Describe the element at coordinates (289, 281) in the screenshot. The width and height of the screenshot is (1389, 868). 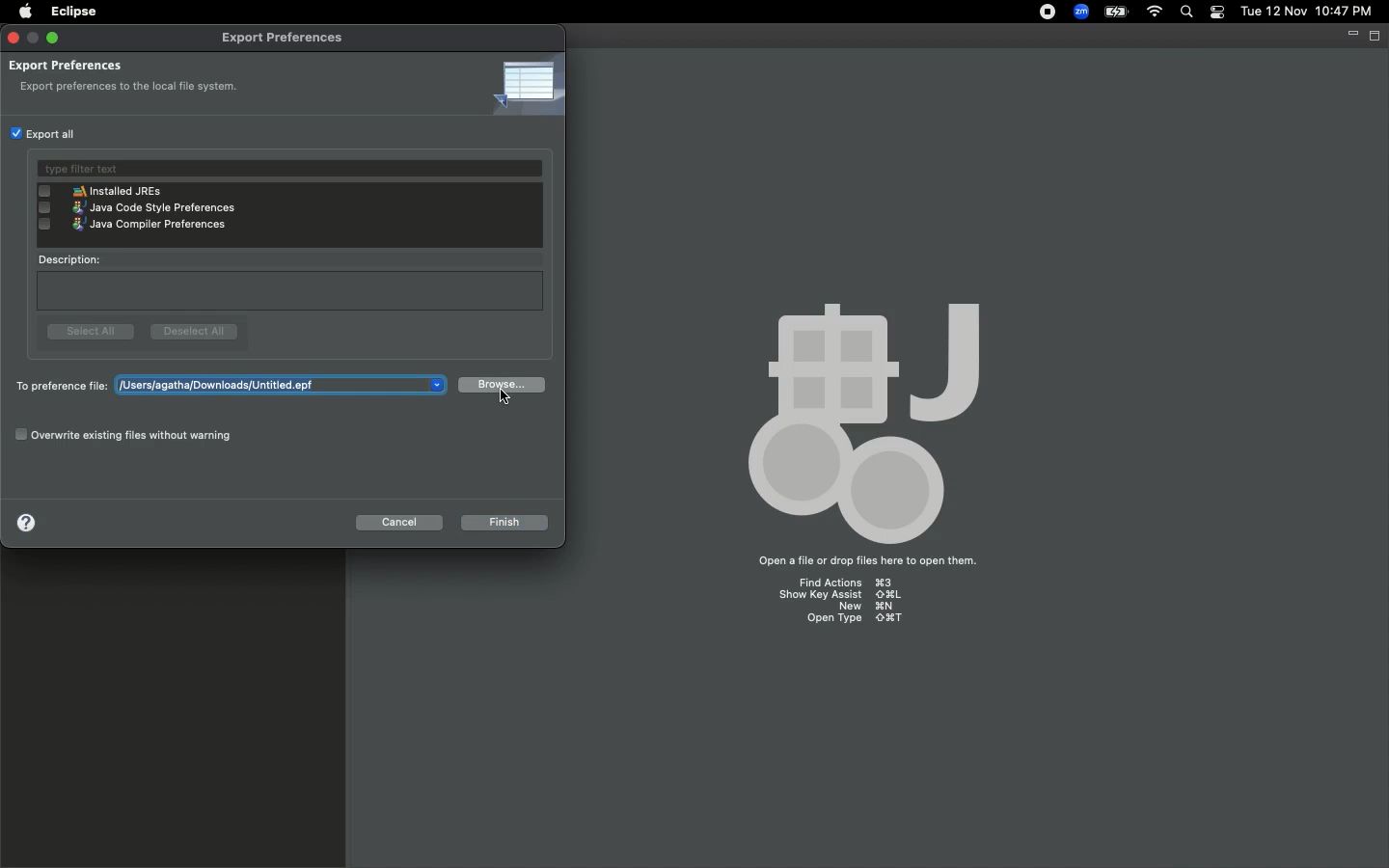
I see `Description` at that location.